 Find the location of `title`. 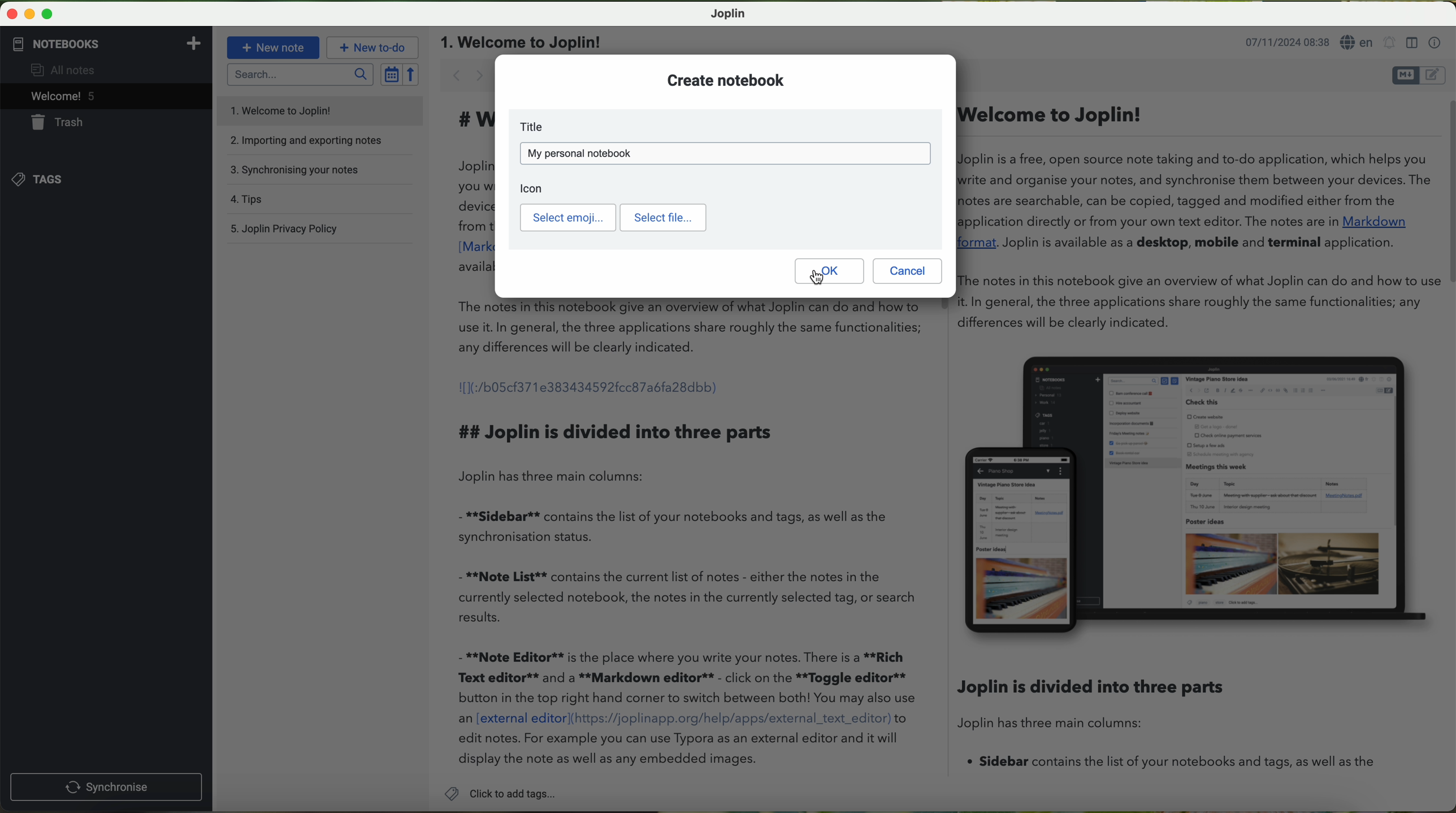

title is located at coordinates (724, 127).